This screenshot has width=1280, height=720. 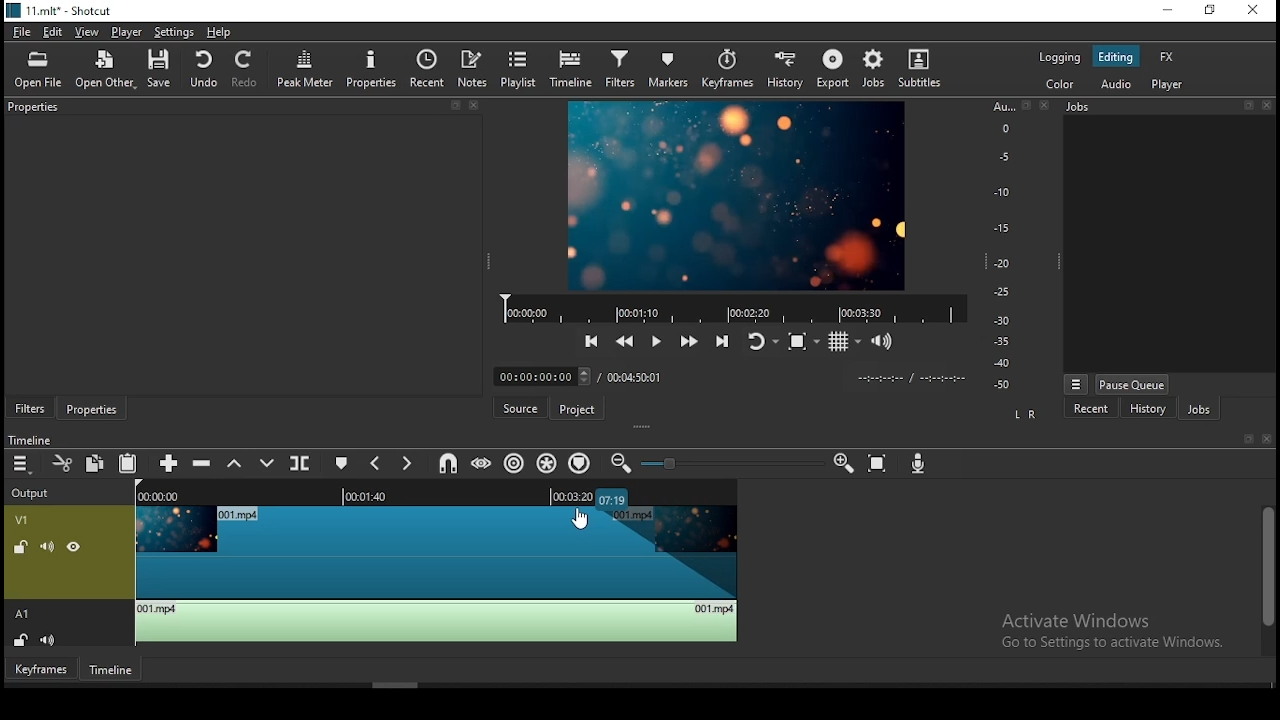 I want to click on split at playhead, so click(x=303, y=462).